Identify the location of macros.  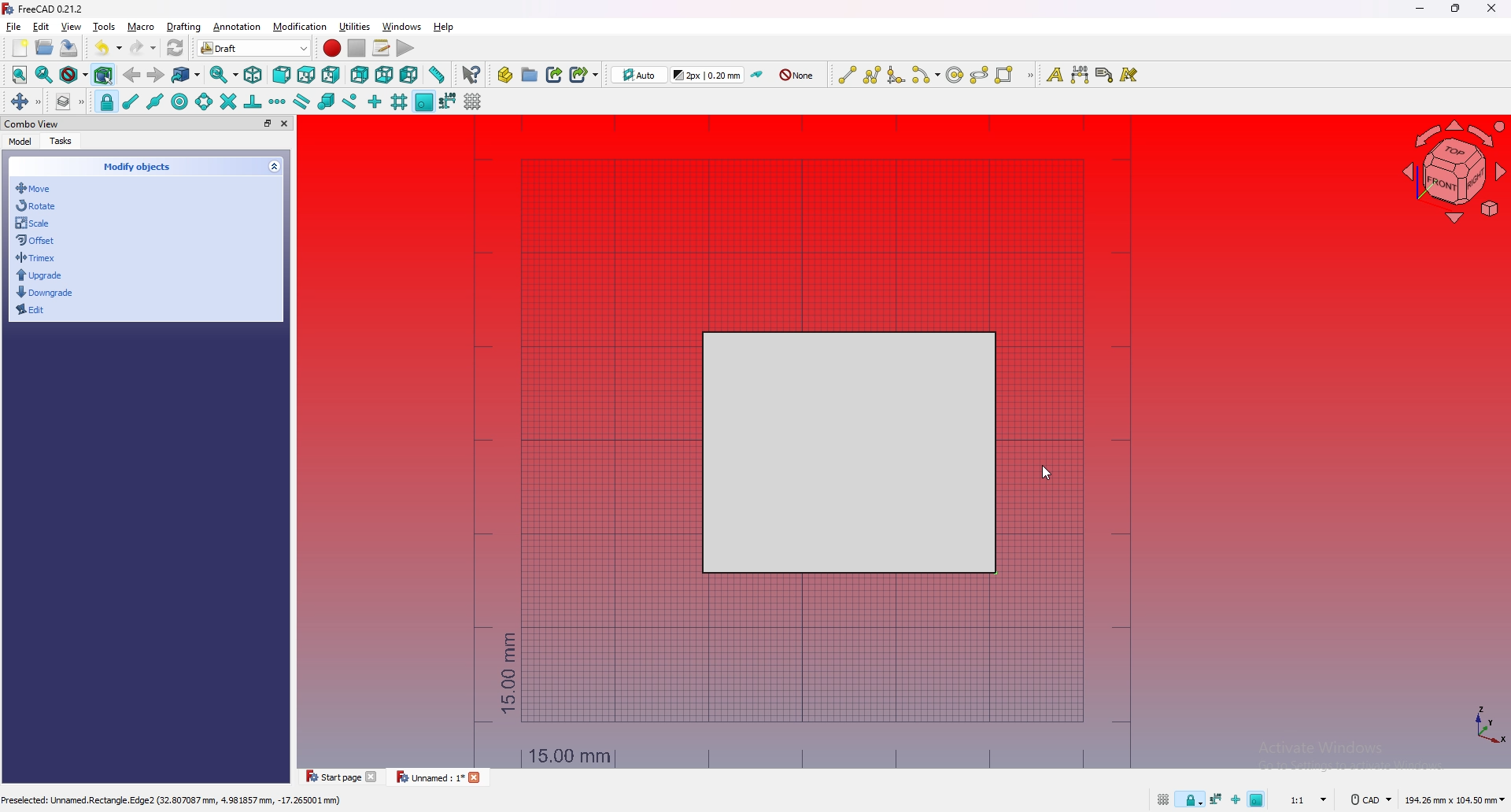
(382, 48).